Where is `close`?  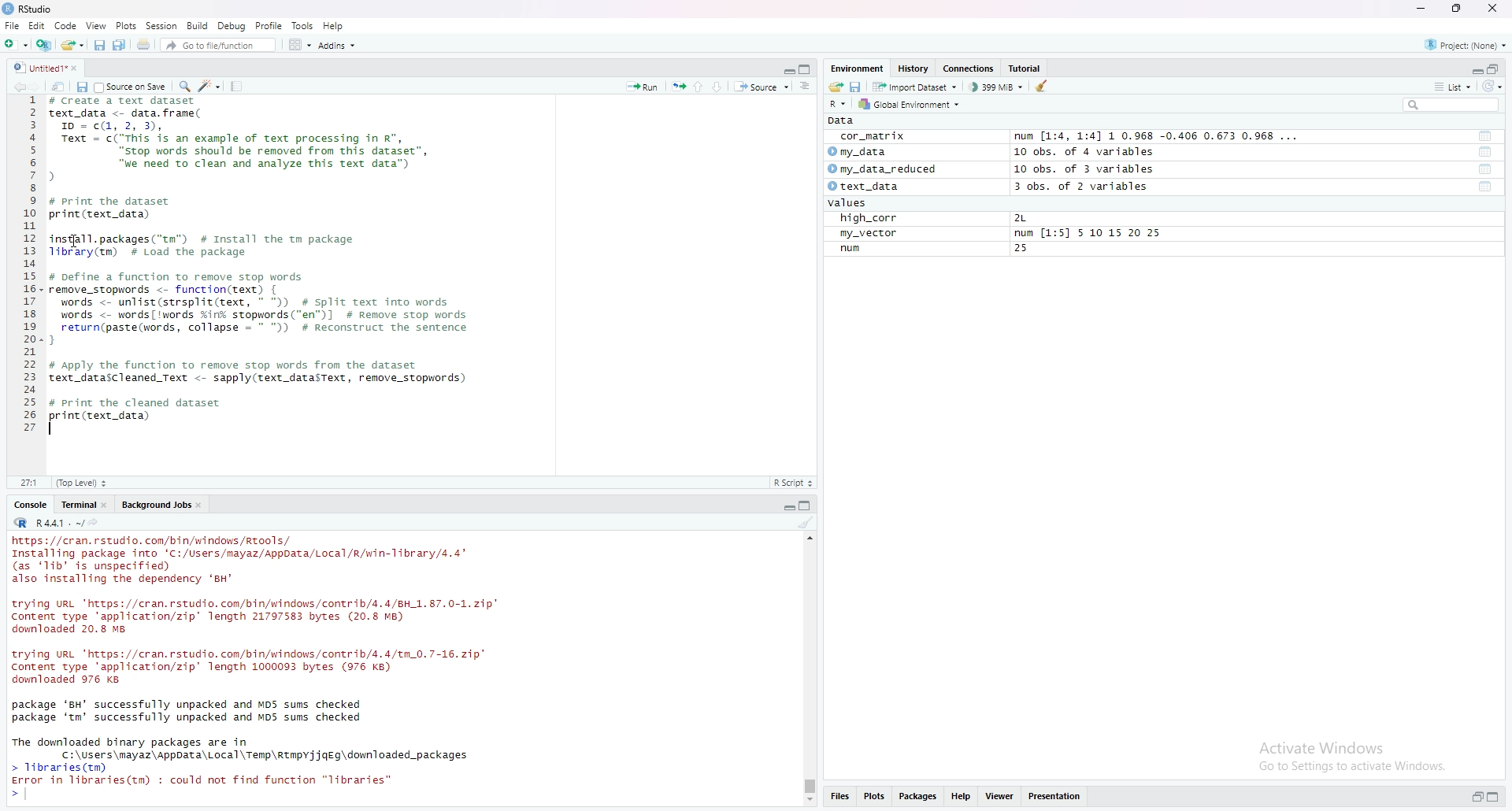
close is located at coordinates (1494, 10).